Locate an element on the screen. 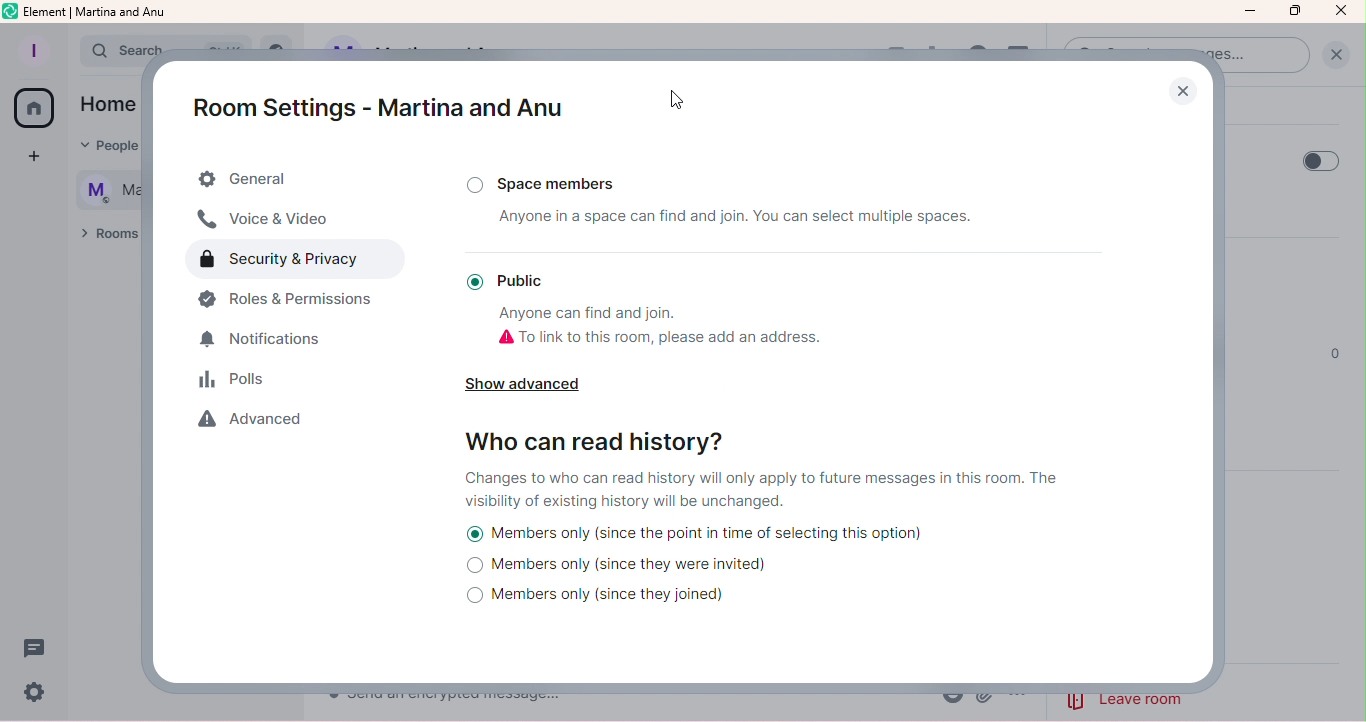 This screenshot has height=722, width=1366. Advanced is located at coordinates (256, 421).